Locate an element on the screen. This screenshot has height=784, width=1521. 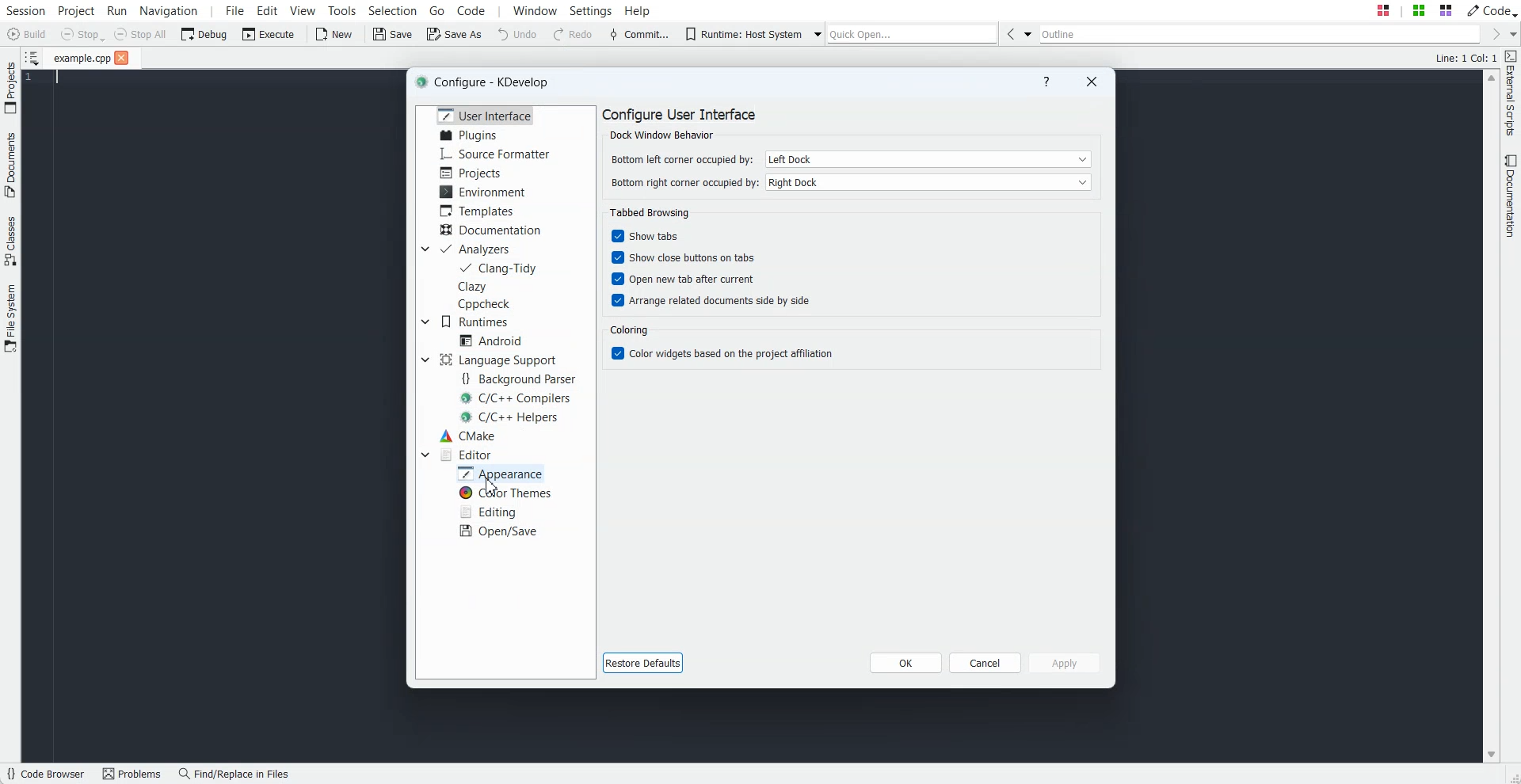
Documentation is located at coordinates (1511, 196).